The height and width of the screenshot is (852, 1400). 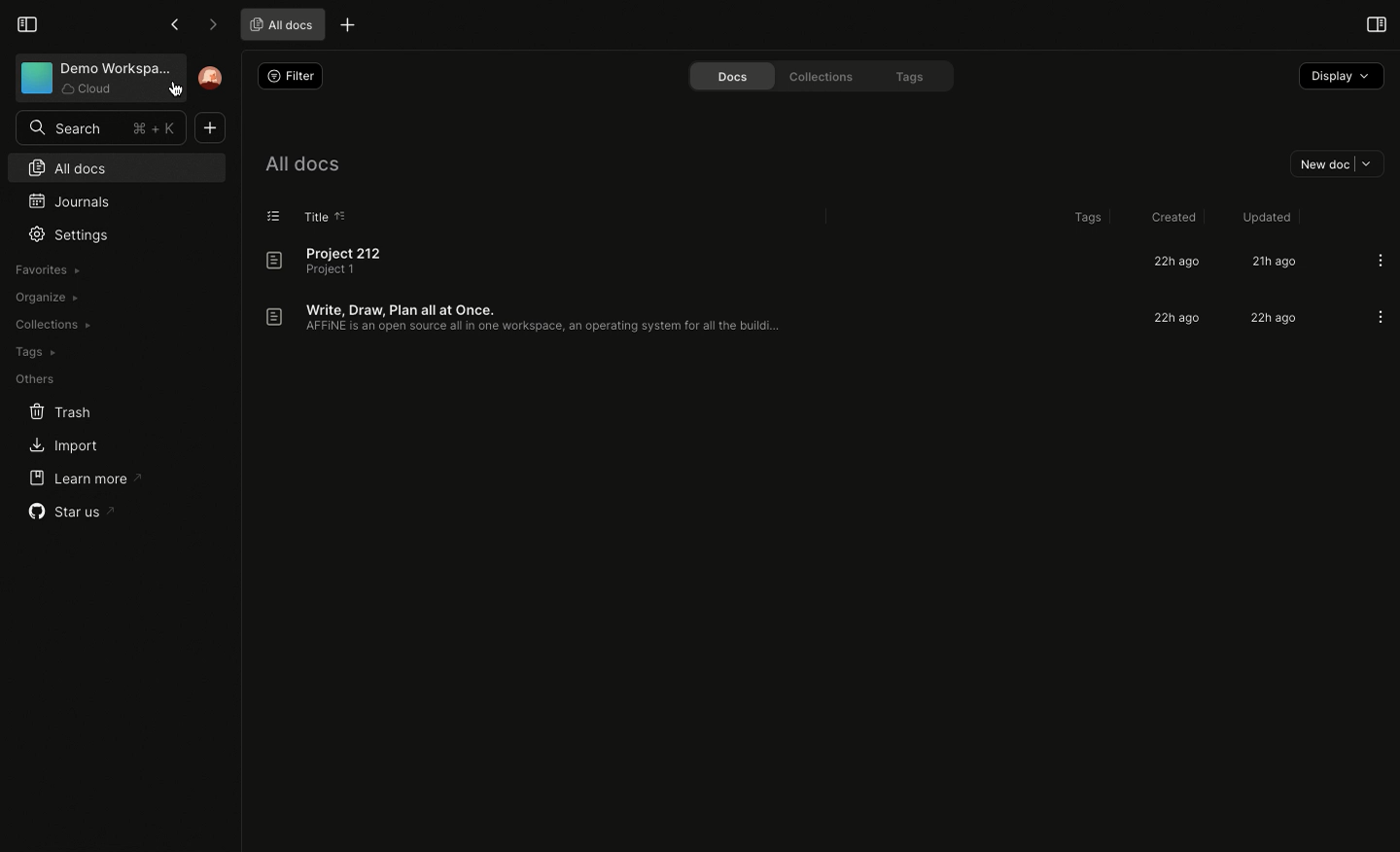 I want to click on Updated, so click(x=1264, y=217).